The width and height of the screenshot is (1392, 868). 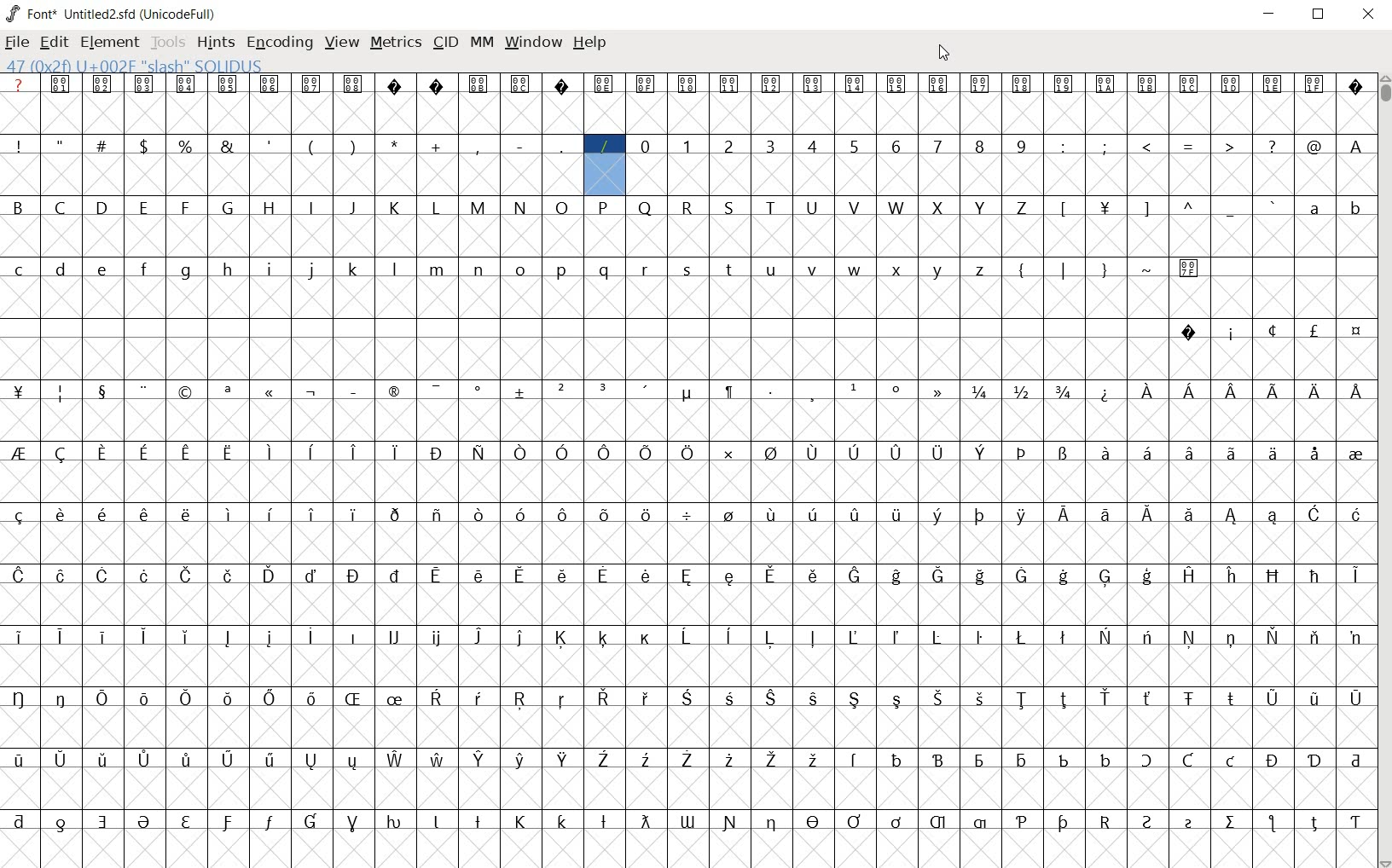 I want to click on glyph, so click(x=1147, y=576).